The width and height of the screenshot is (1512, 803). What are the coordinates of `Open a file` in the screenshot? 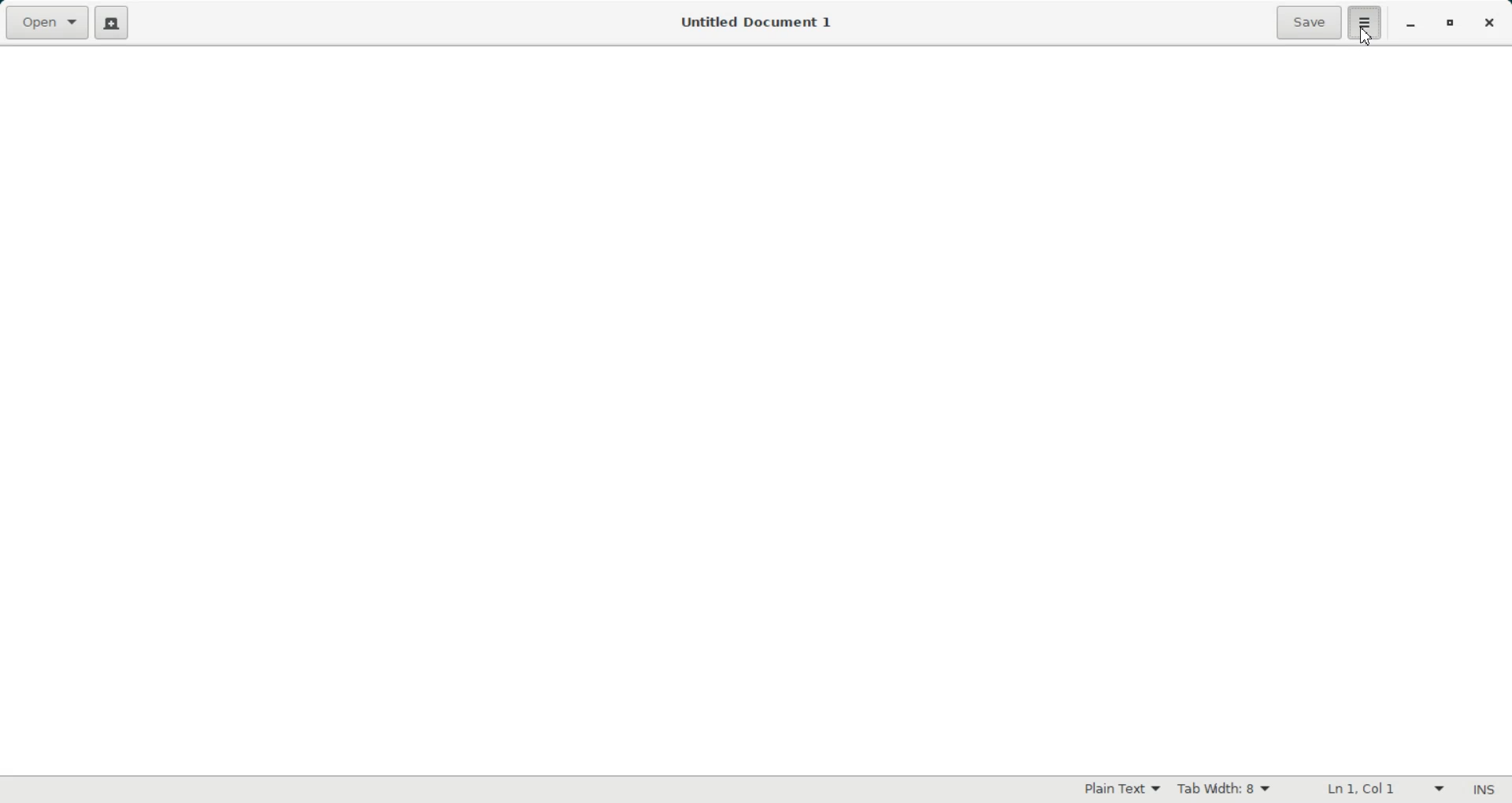 It's located at (46, 22).